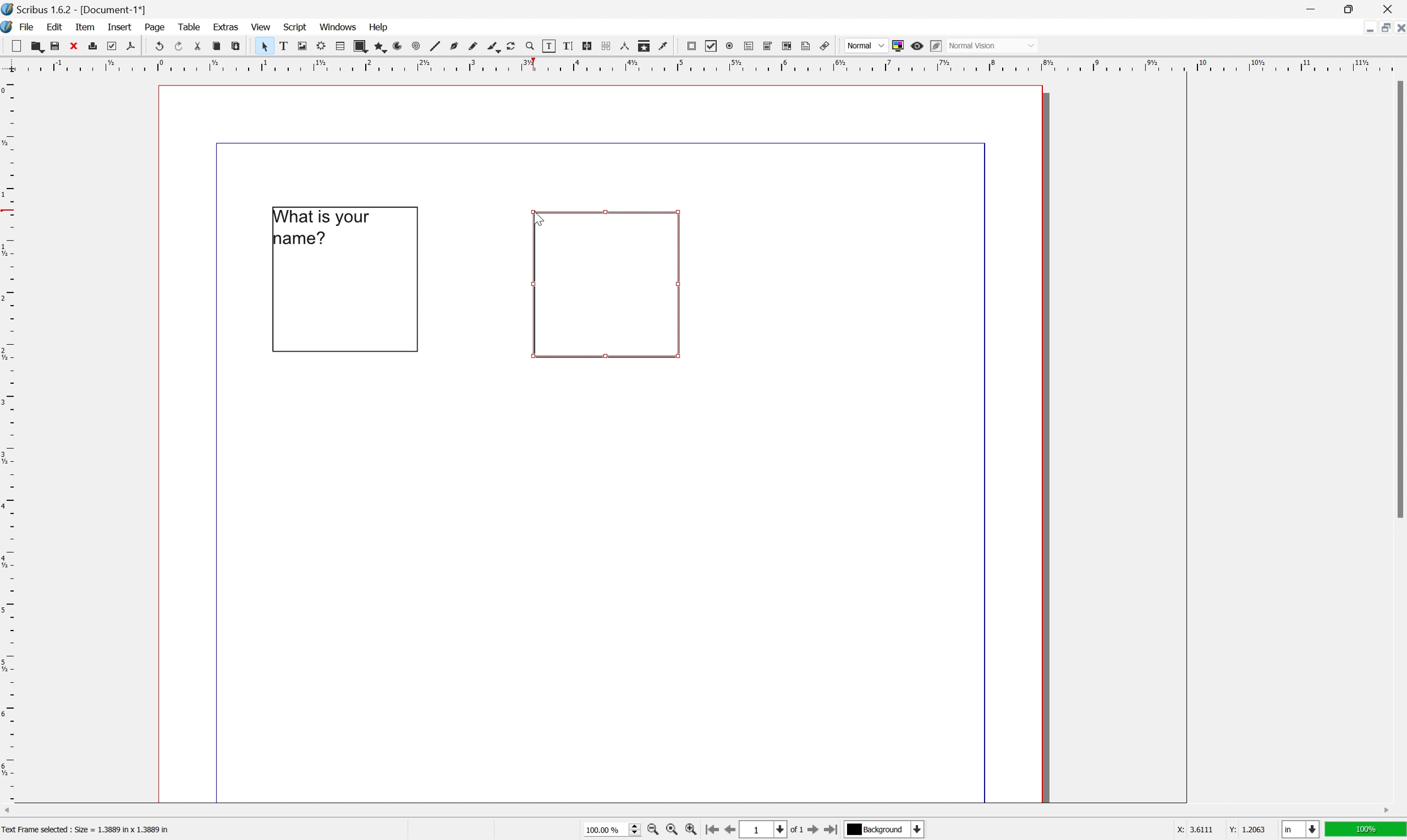  I want to click on bezier curve, so click(494, 48).